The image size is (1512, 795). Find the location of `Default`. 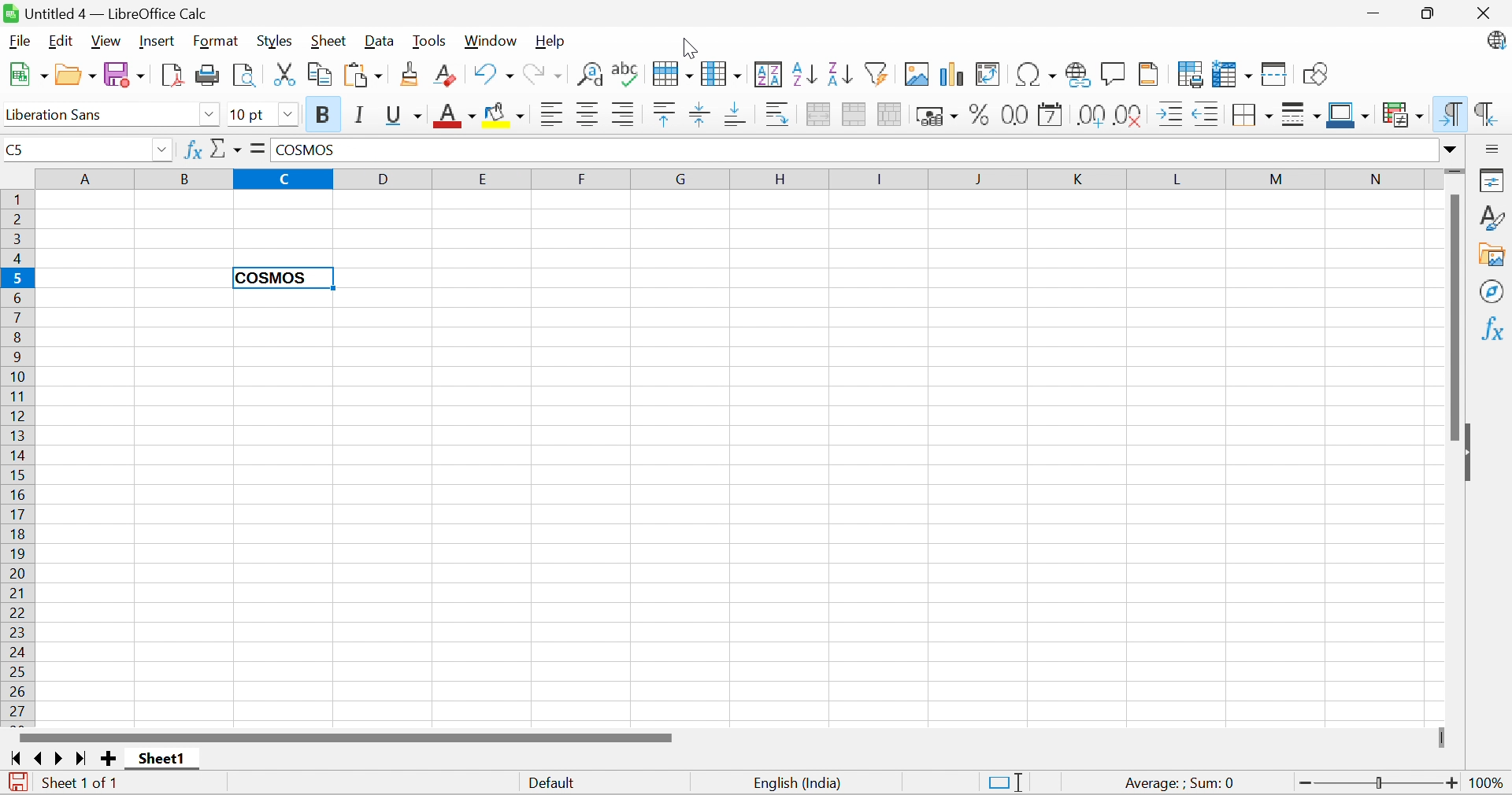

Default is located at coordinates (552, 784).